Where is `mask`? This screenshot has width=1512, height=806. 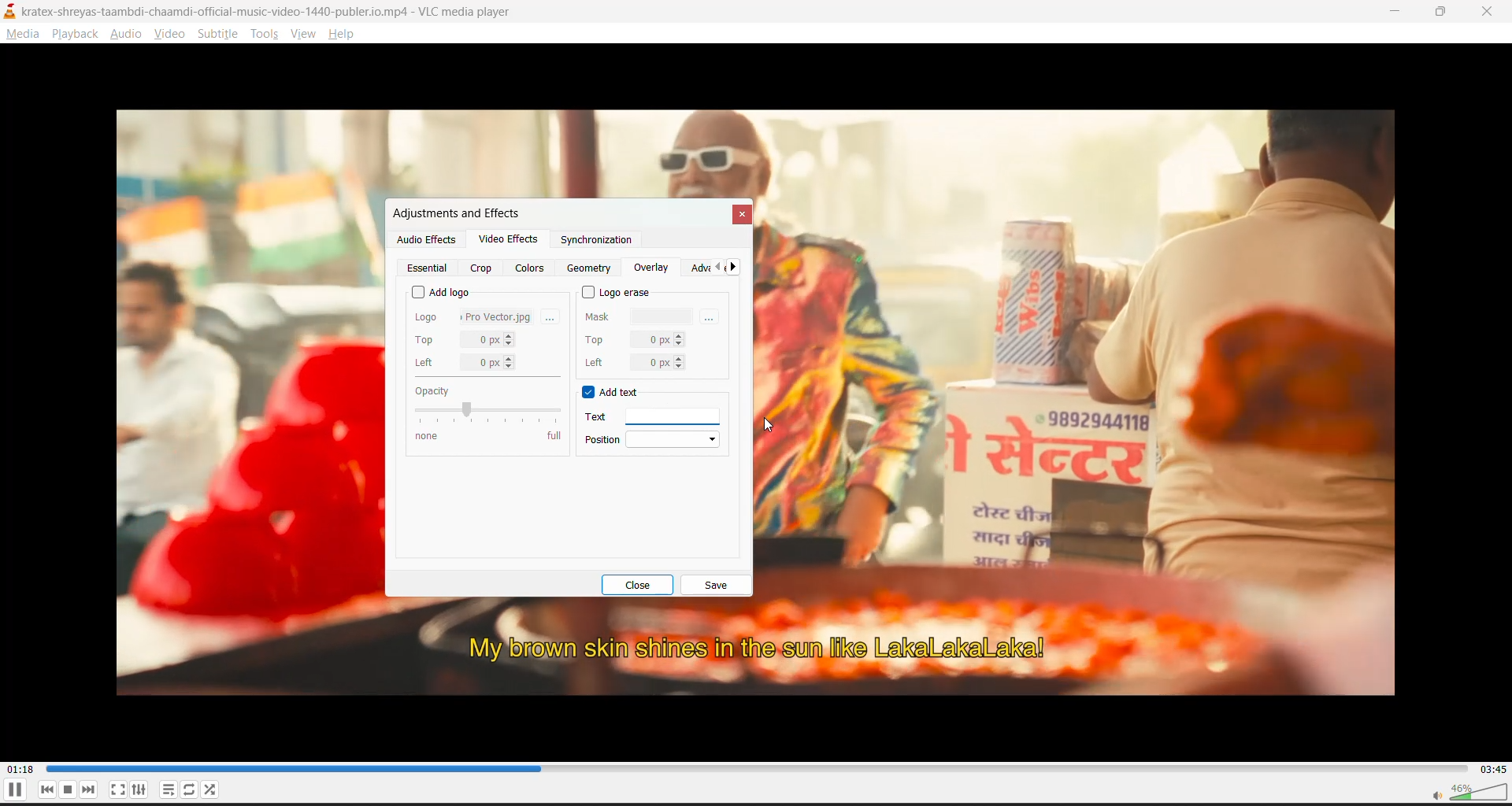
mask is located at coordinates (640, 315).